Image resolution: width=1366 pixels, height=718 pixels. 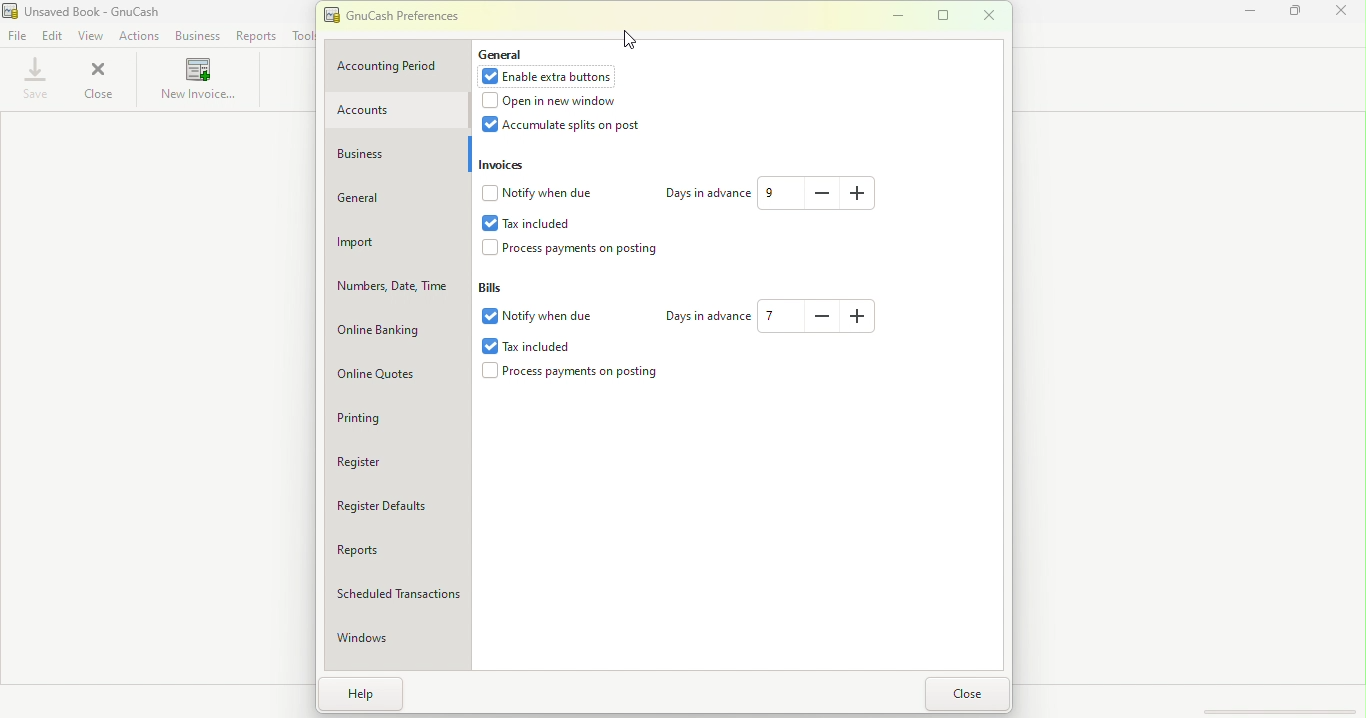 I want to click on New invoice, so click(x=202, y=81).